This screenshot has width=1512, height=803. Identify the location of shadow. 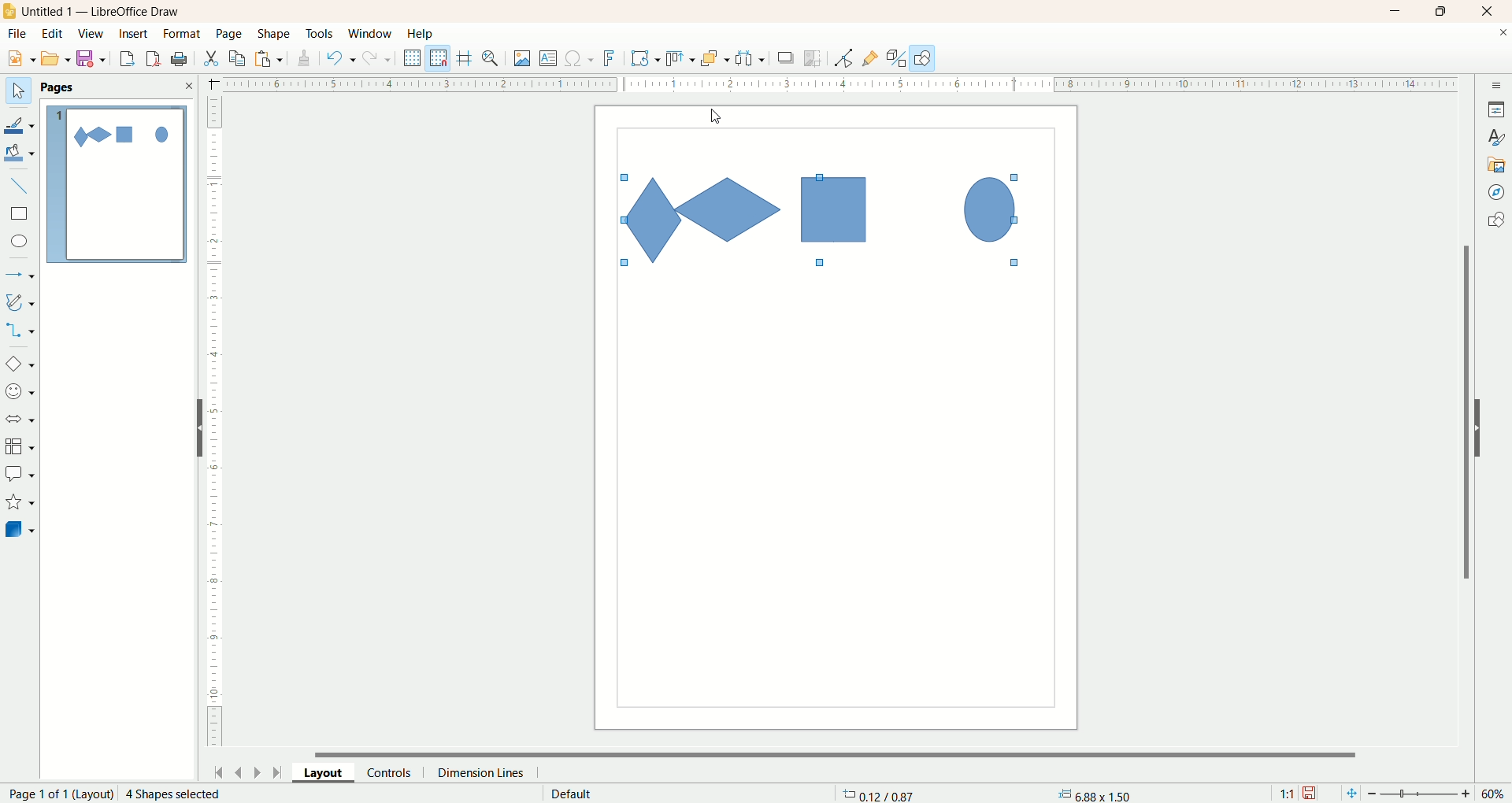
(786, 57).